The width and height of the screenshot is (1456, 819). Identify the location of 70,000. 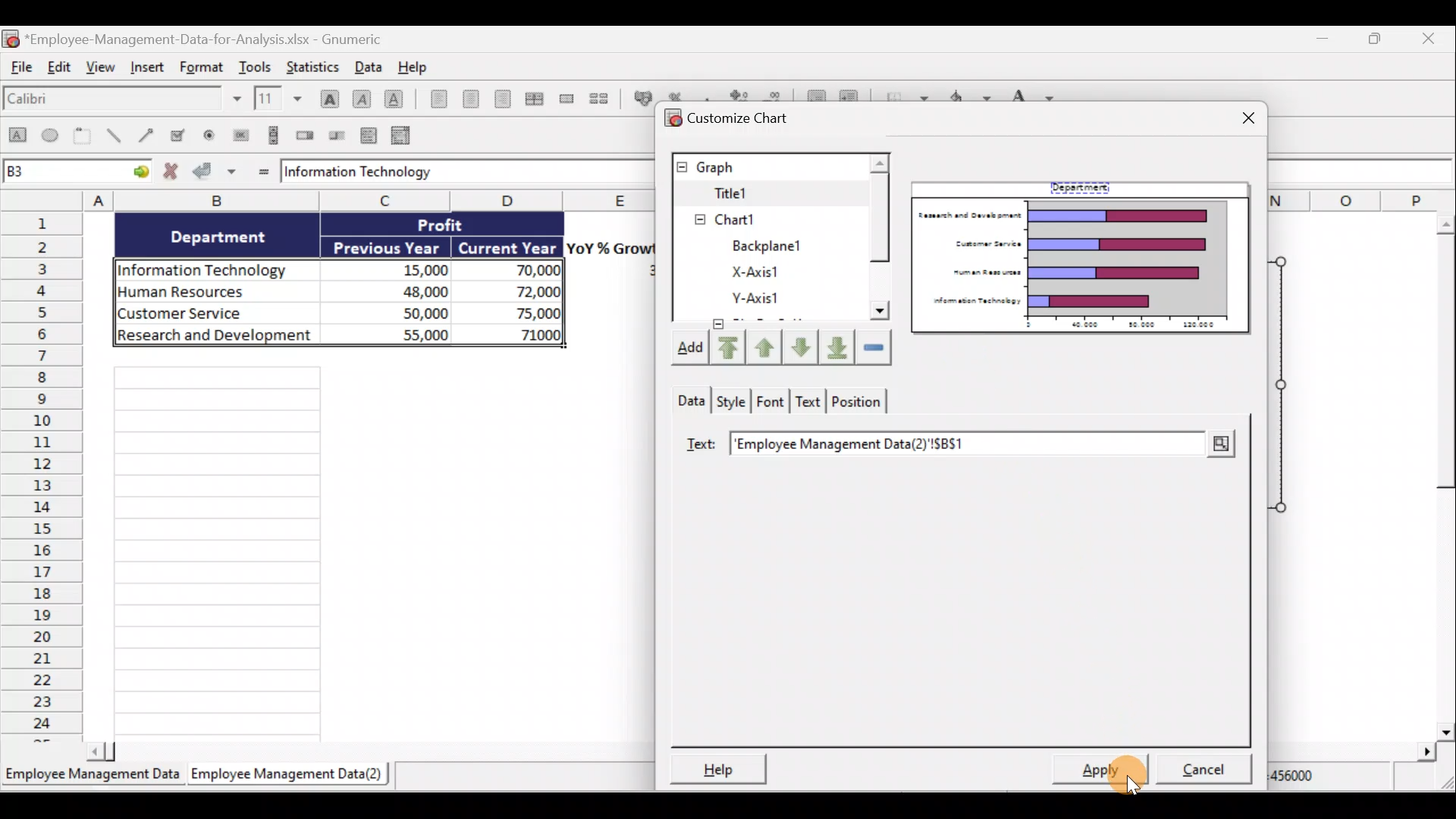
(522, 271).